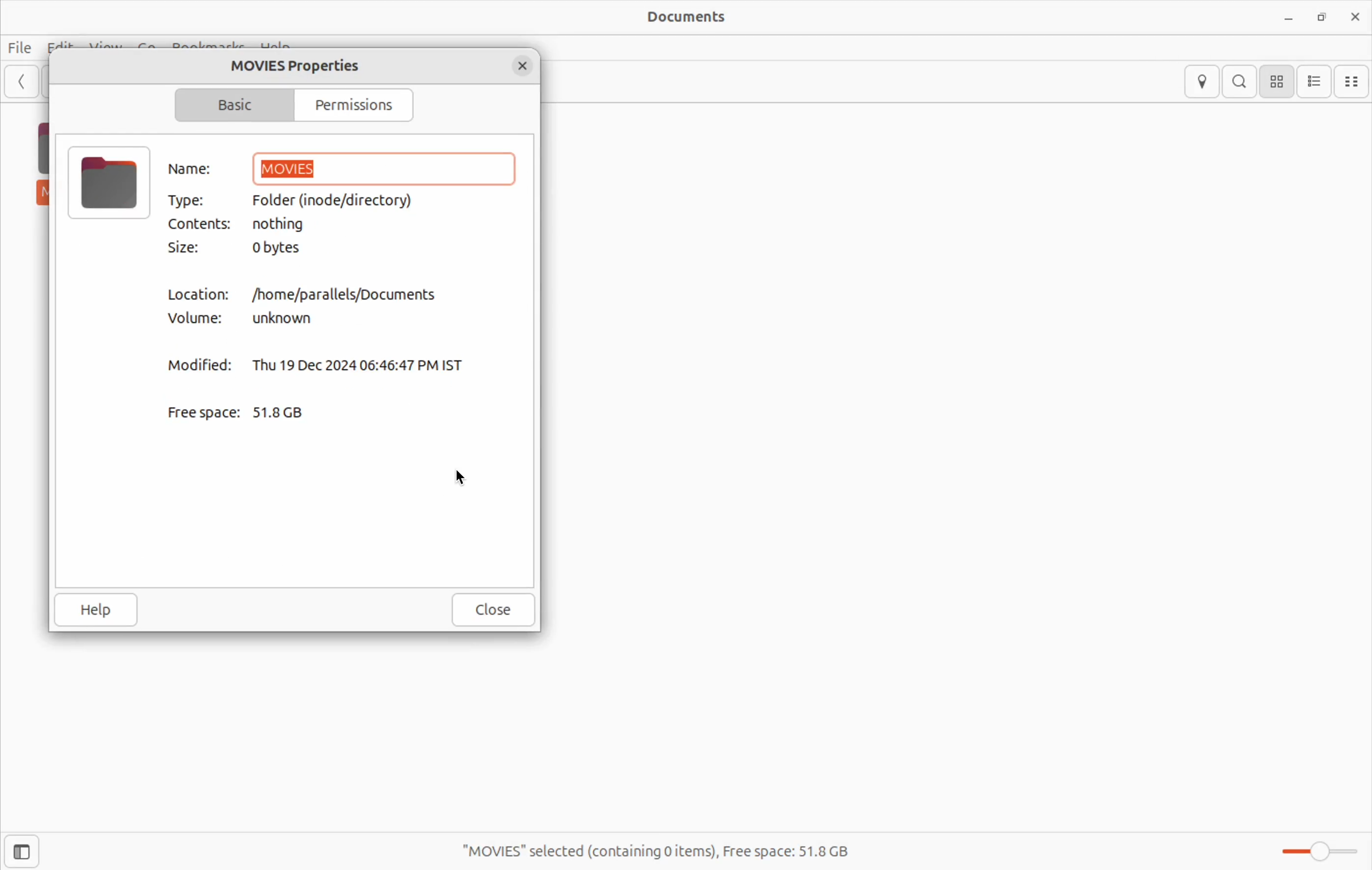 Image resolution: width=1372 pixels, height=870 pixels. What do you see at coordinates (688, 17) in the screenshot?
I see `documents` at bounding box center [688, 17].